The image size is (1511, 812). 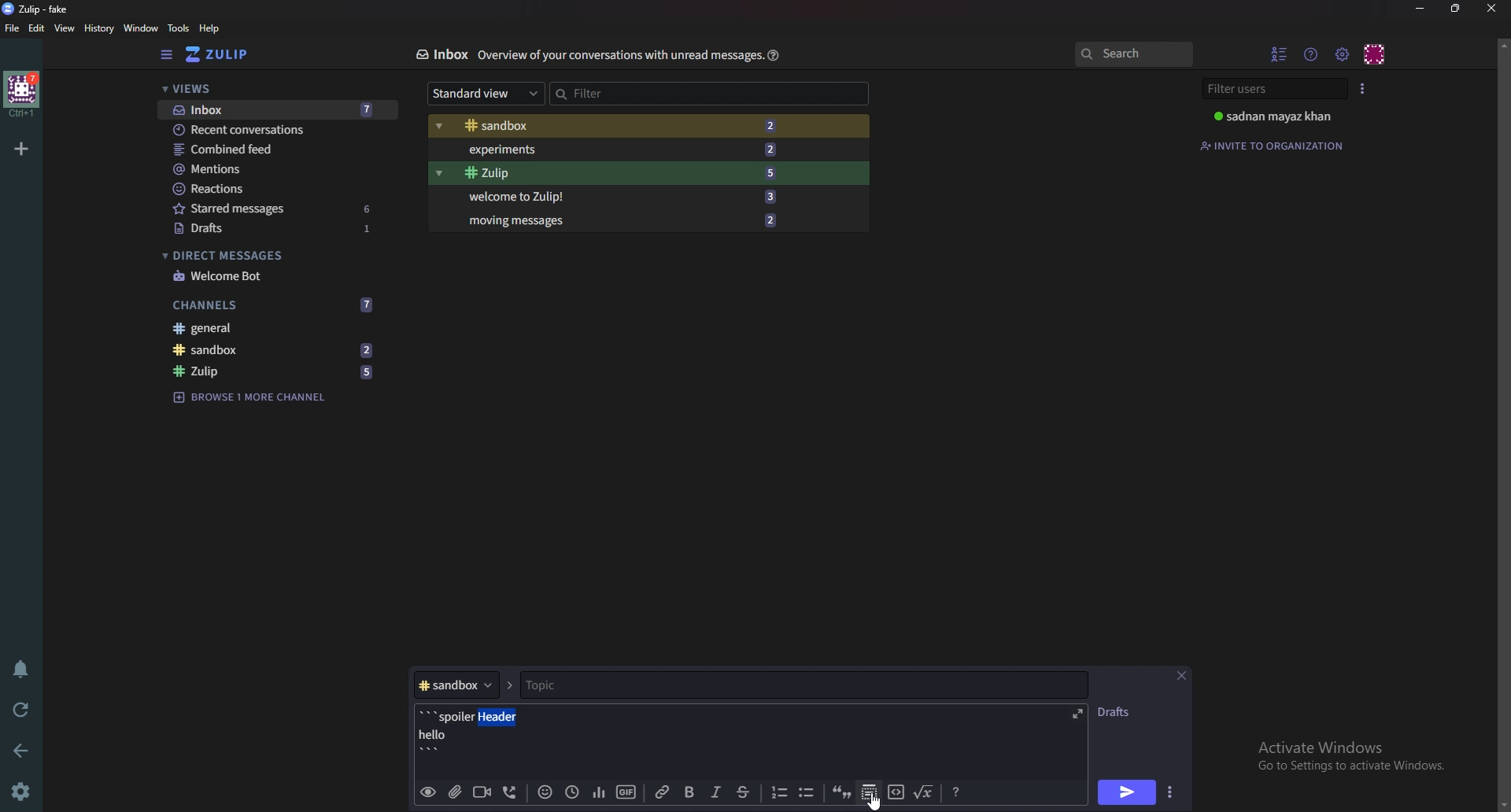 What do you see at coordinates (706, 94) in the screenshot?
I see `Filter` at bounding box center [706, 94].